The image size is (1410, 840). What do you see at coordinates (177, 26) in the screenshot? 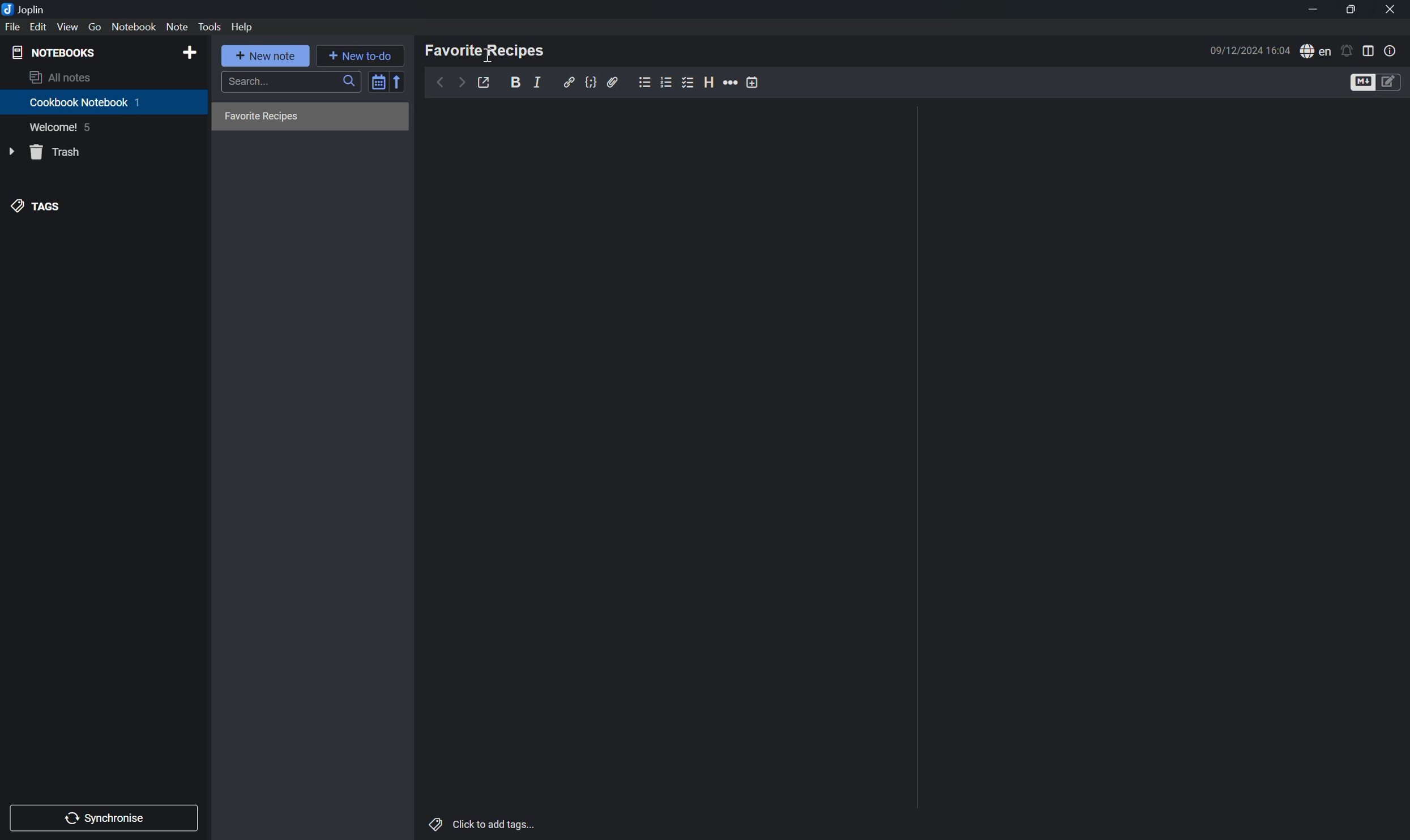
I see `Note` at bounding box center [177, 26].